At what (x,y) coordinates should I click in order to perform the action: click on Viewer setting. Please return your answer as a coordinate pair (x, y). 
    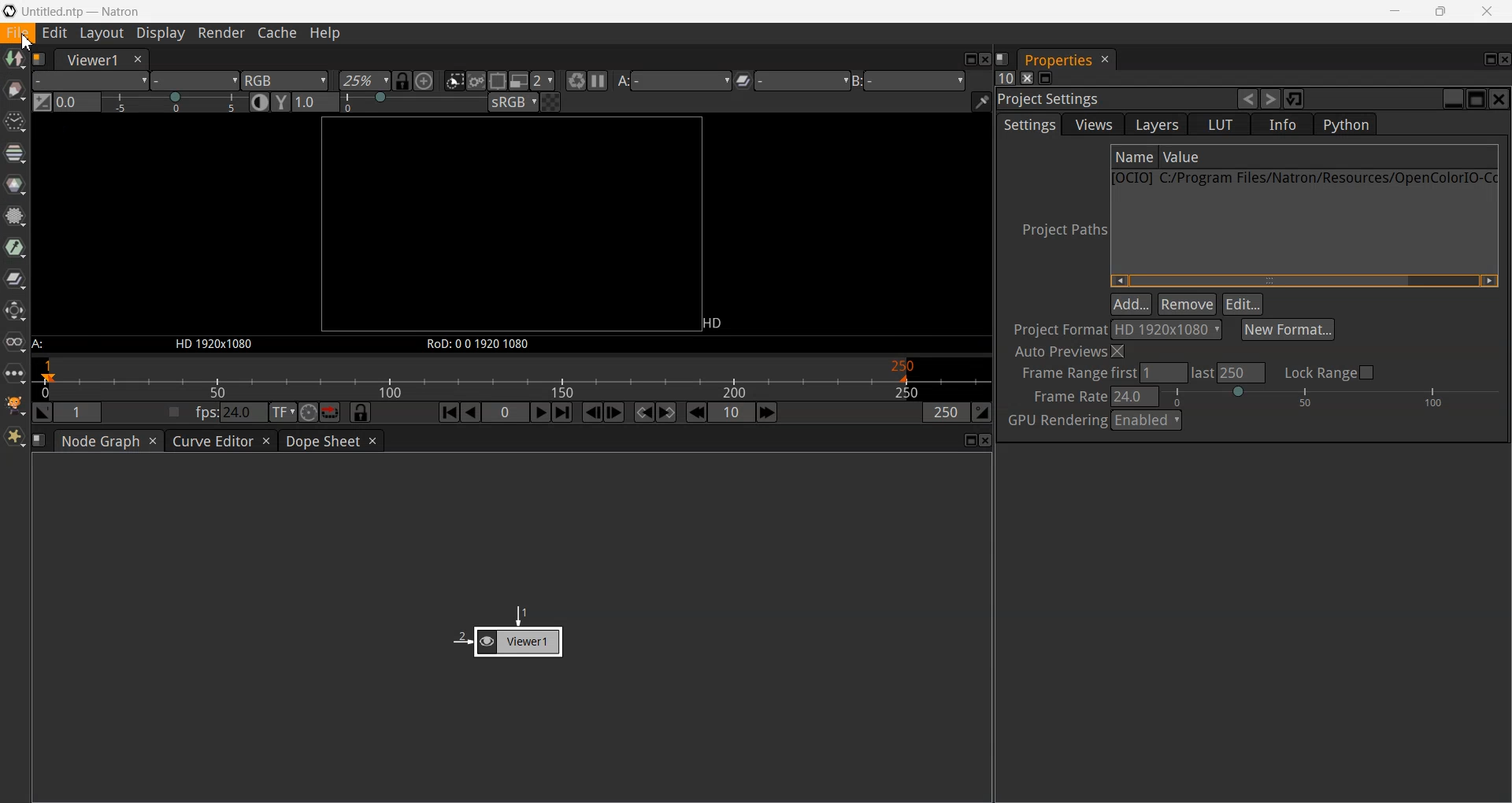
    Looking at the image, I should click on (797, 80).